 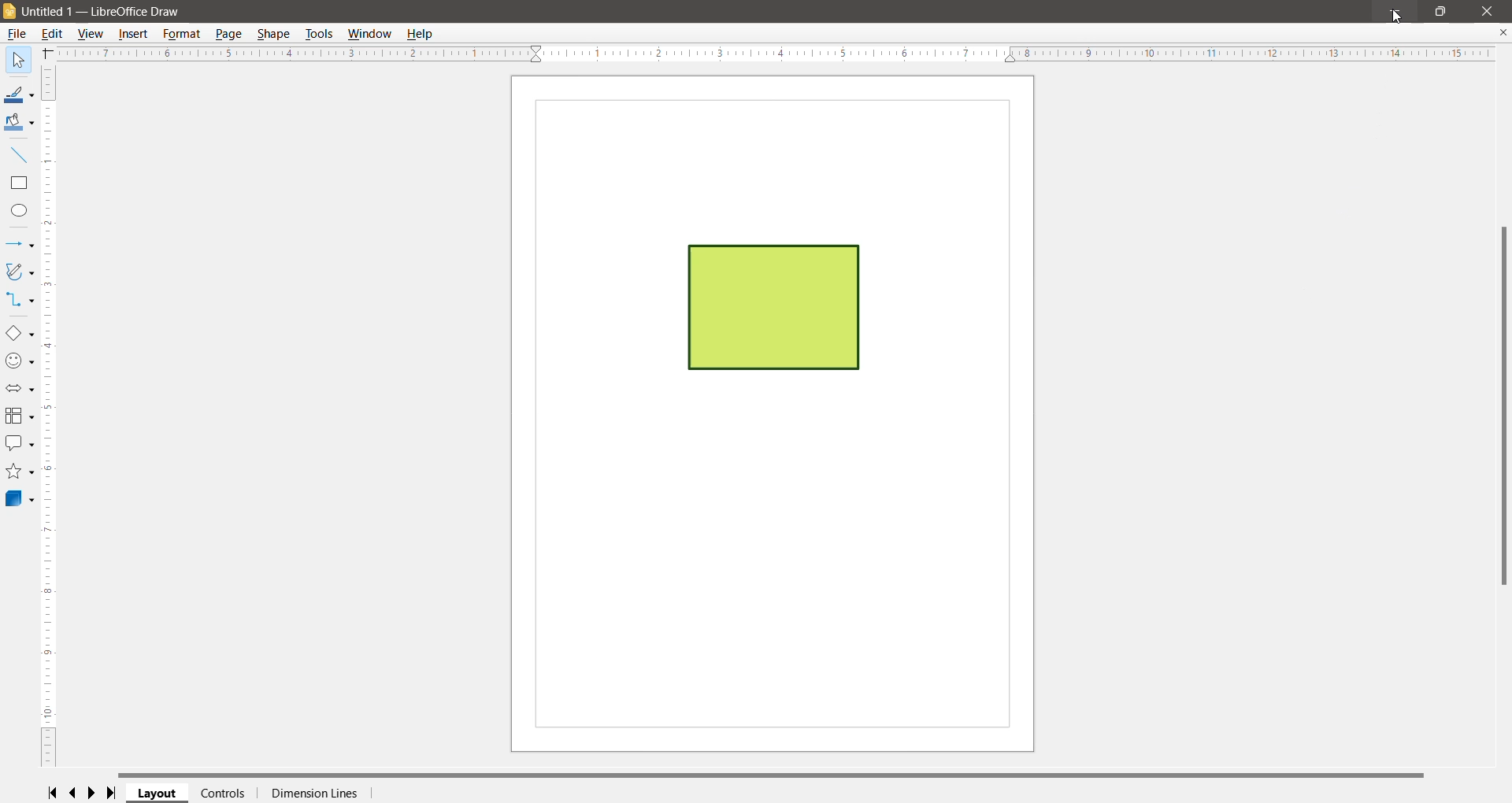 I want to click on Page, so click(x=231, y=35).